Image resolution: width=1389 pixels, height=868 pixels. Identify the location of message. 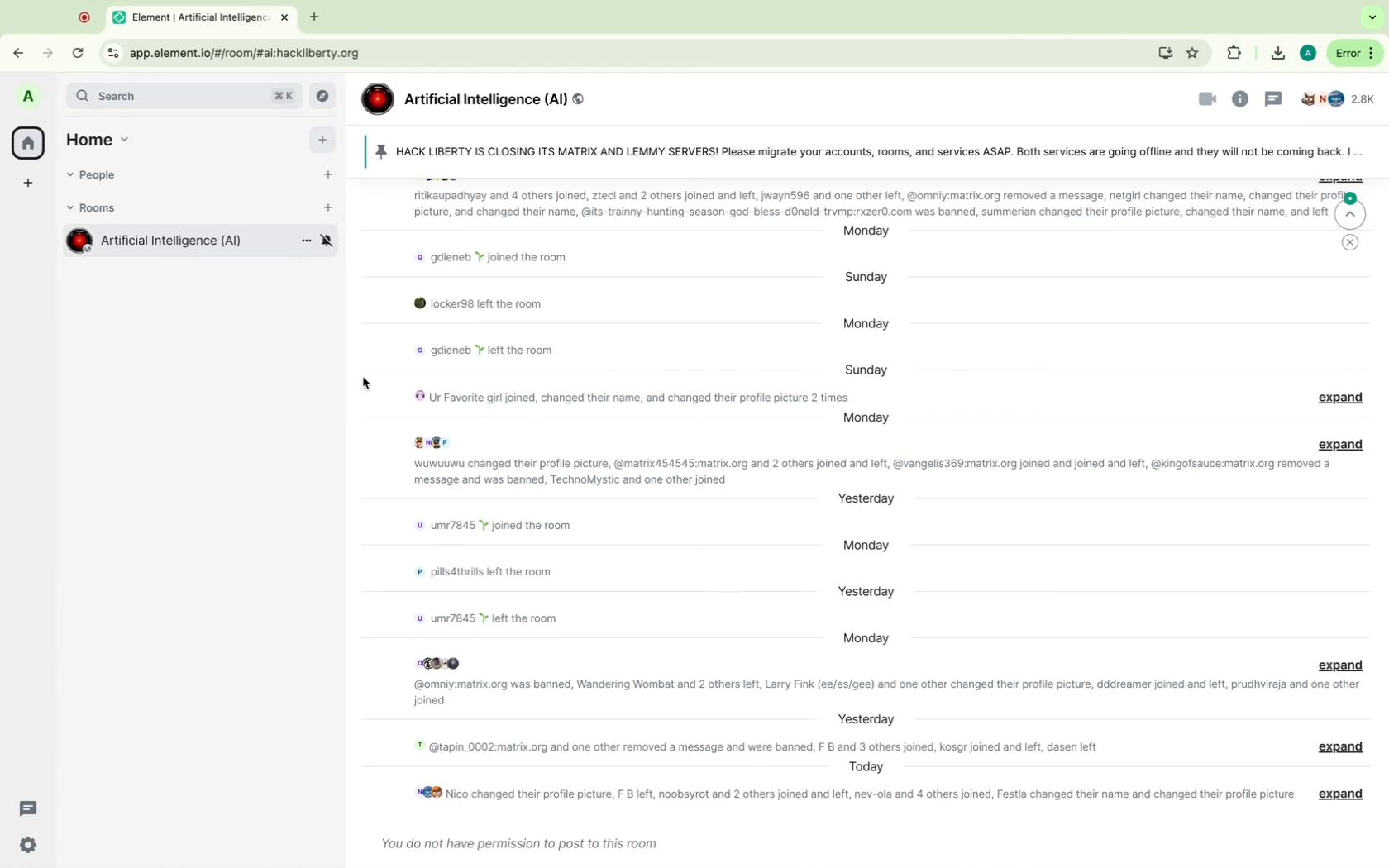
(491, 574).